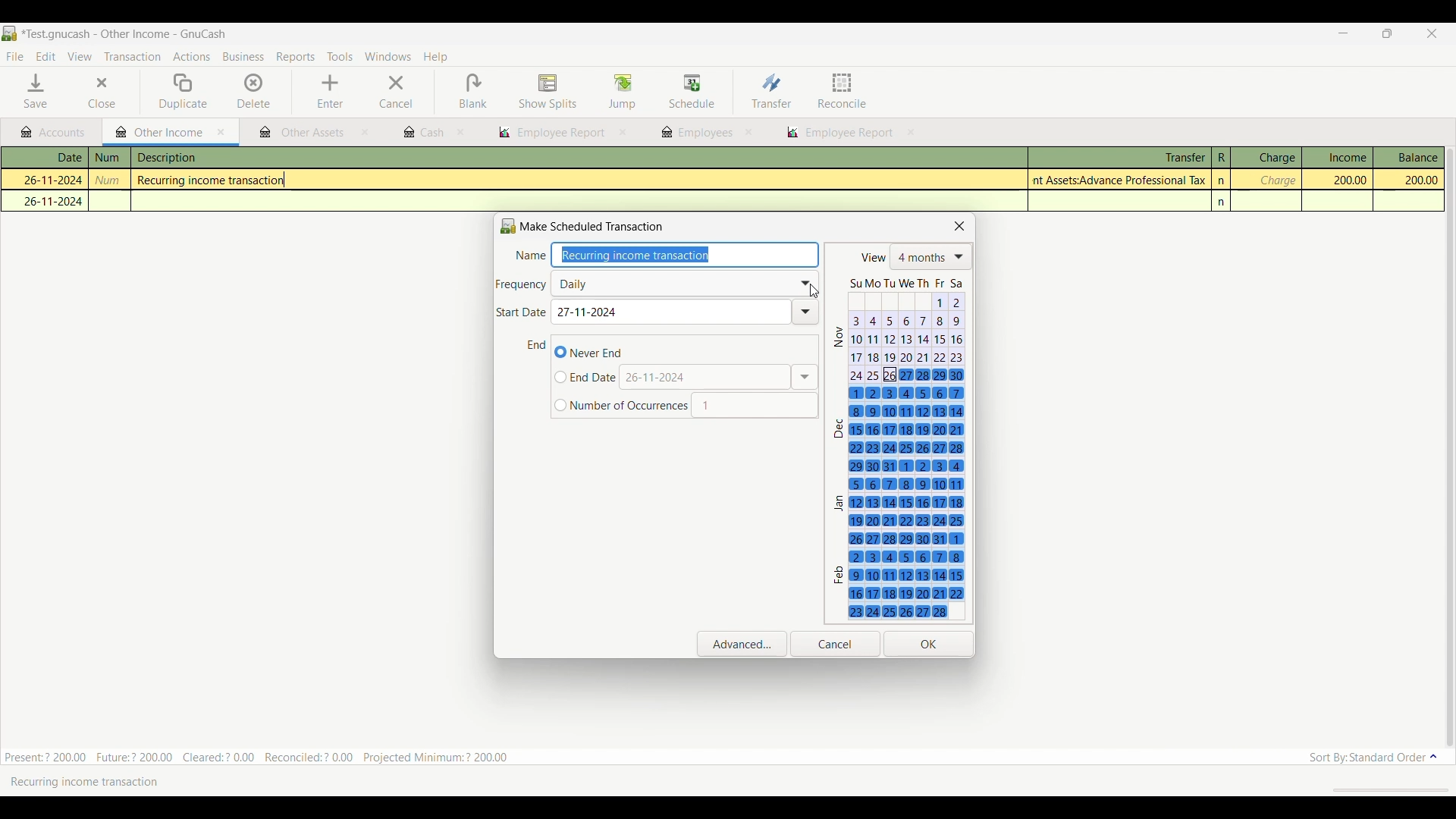  Describe the element at coordinates (1409, 157) in the screenshot. I see `Balance column` at that location.